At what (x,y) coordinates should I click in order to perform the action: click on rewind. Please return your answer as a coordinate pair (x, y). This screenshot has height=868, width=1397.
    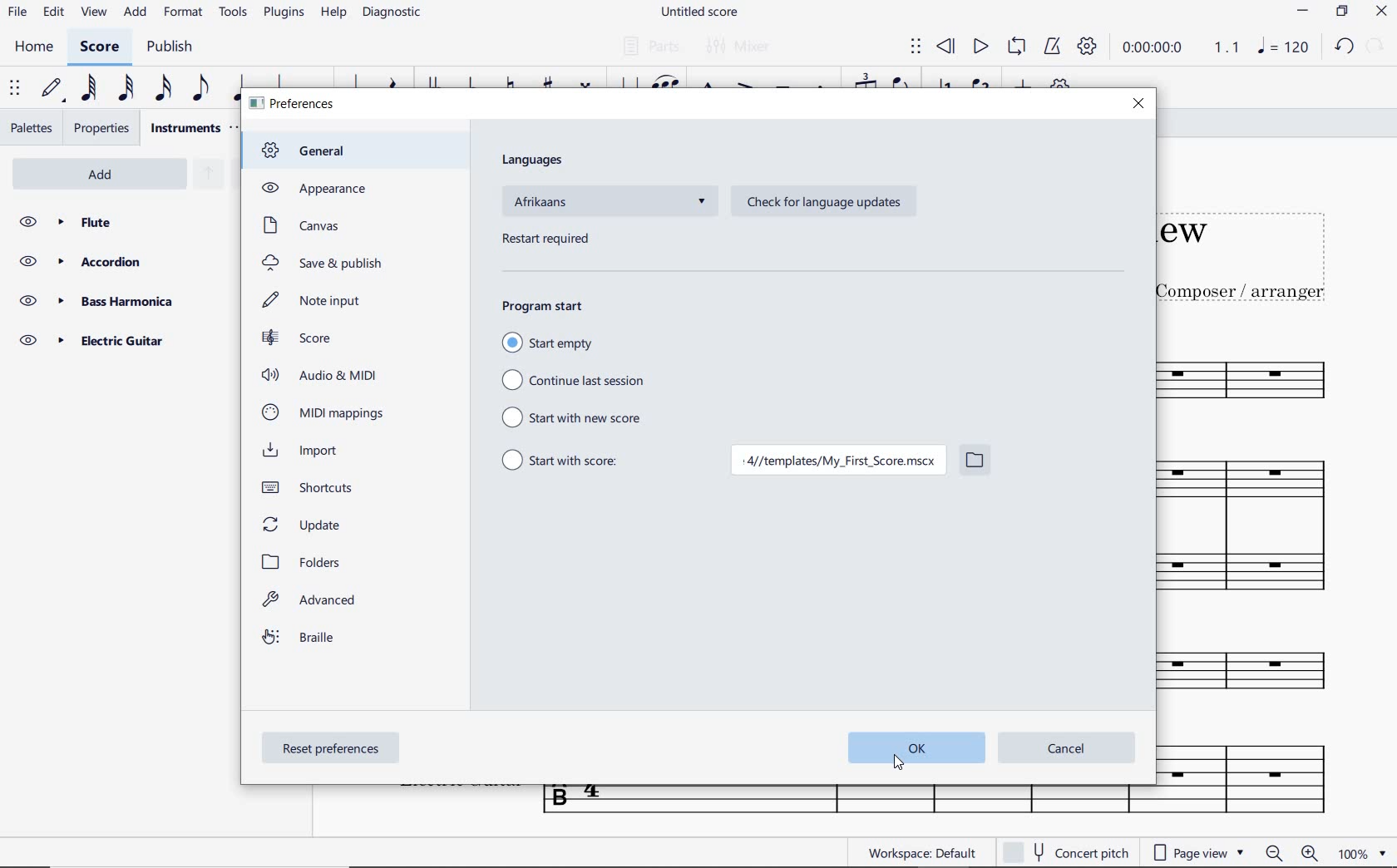
    Looking at the image, I should click on (945, 46).